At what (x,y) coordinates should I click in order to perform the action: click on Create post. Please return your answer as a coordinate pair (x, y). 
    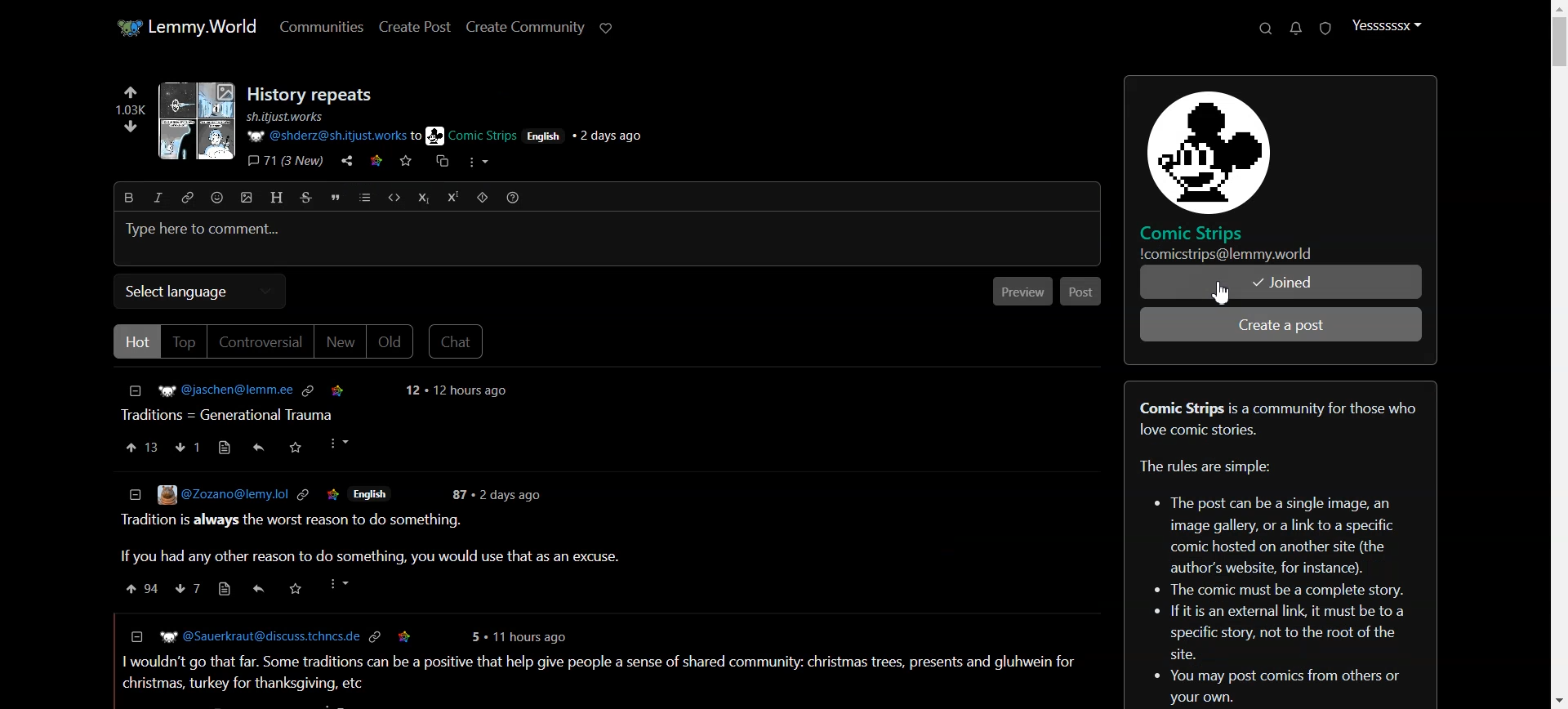
    Looking at the image, I should click on (1283, 324).